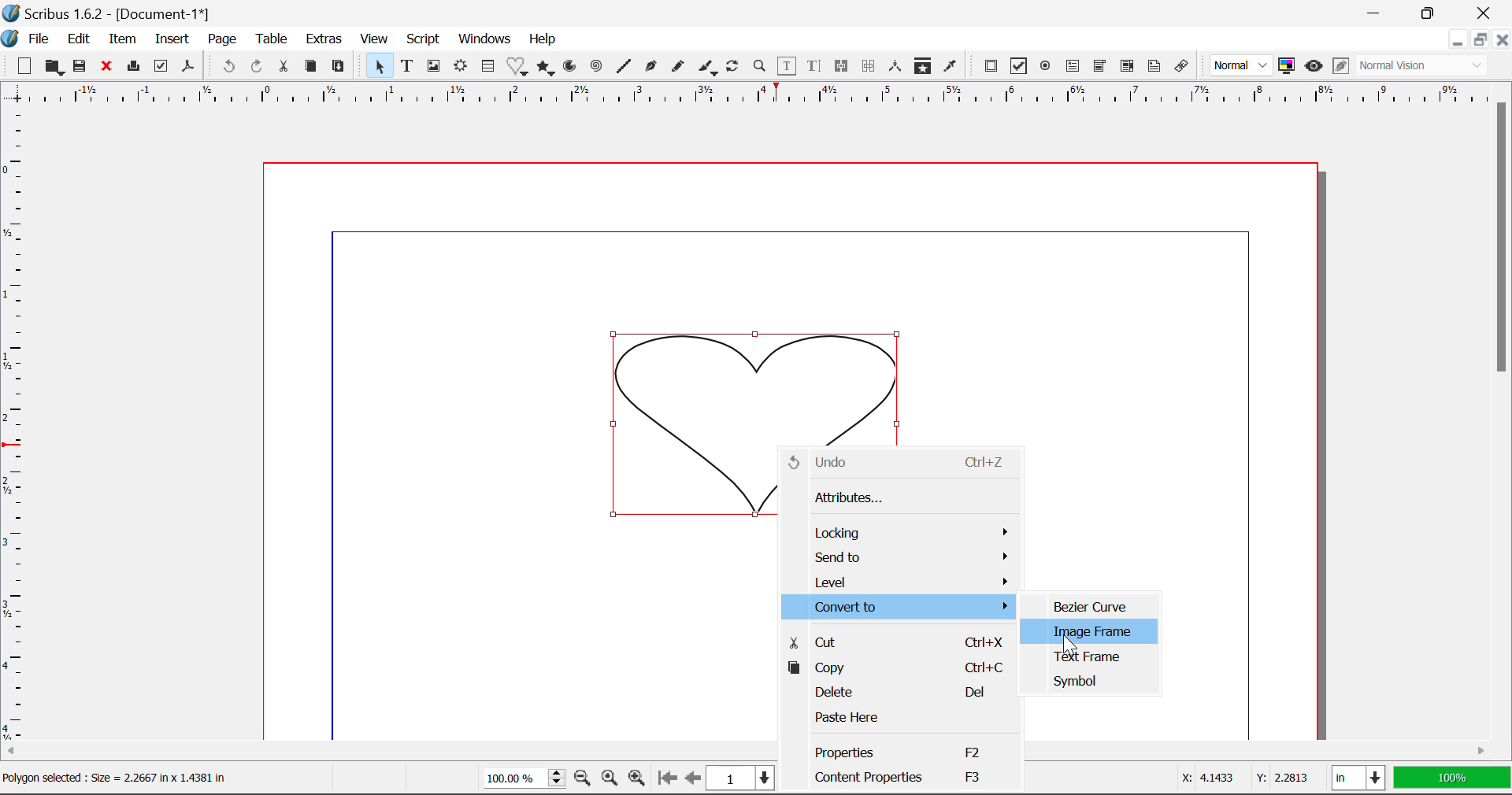 The height and width of the screenshot is (795, 1512). Describe the element at coordinates (901, 719) in the screenshot. I see `Paste Here` at that location.